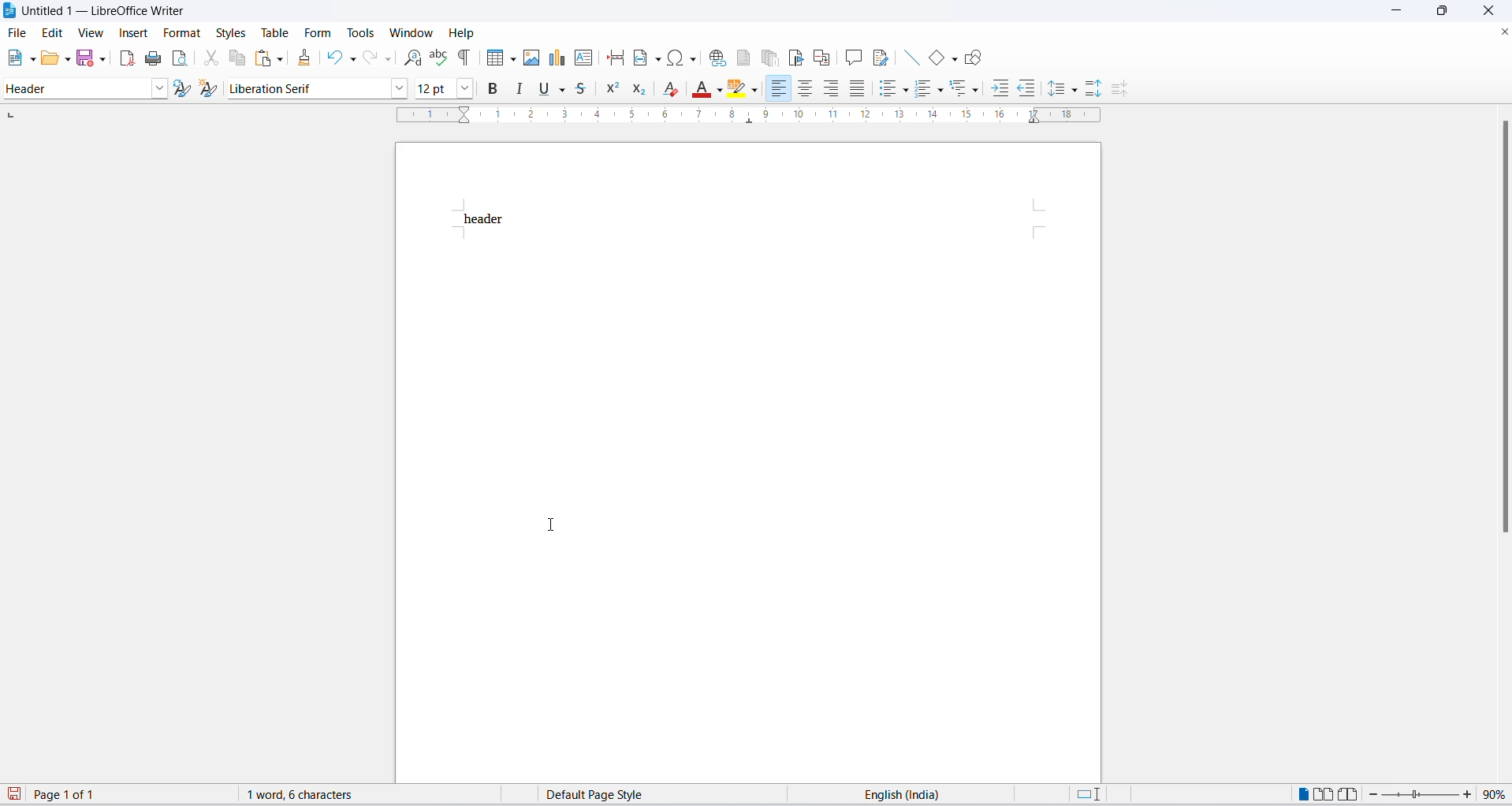  What do you see at coordinates (744, 57) in the screenshot?
I see `insert footnote` at bounding box center [744, 57].